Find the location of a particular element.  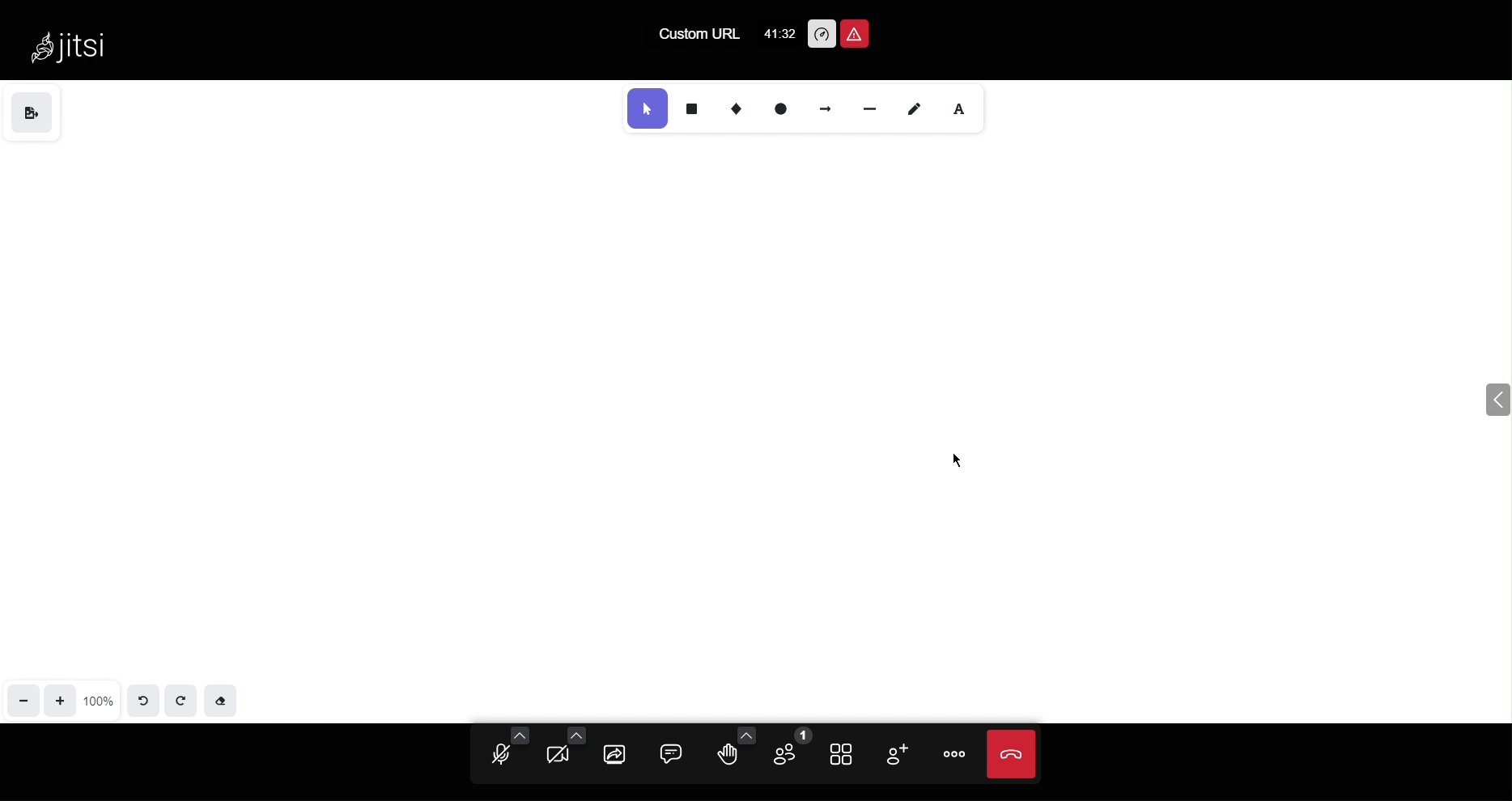

Performance is located at coordinates (819, 32).